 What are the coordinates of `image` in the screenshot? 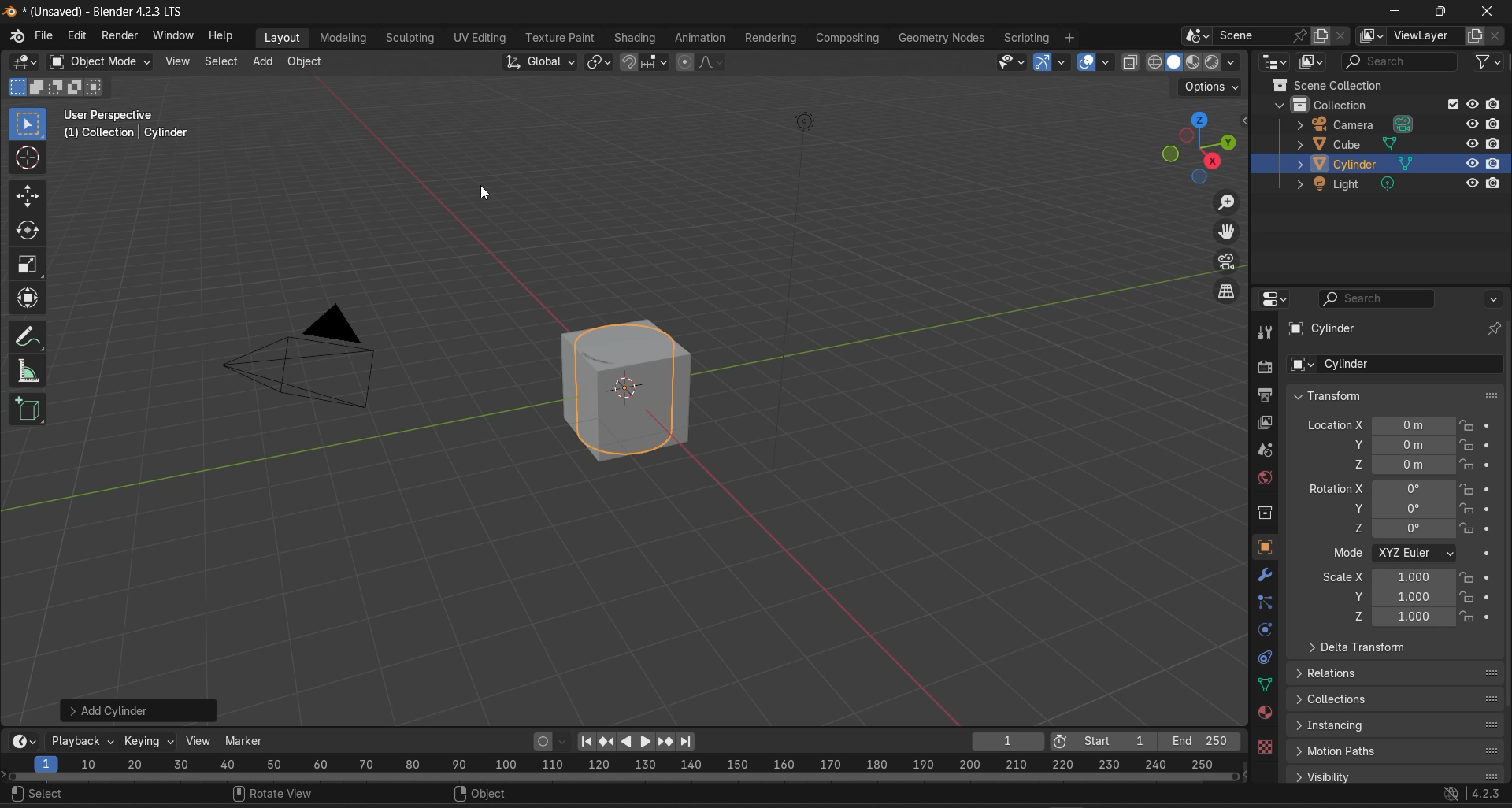 It's located at (302, 357).